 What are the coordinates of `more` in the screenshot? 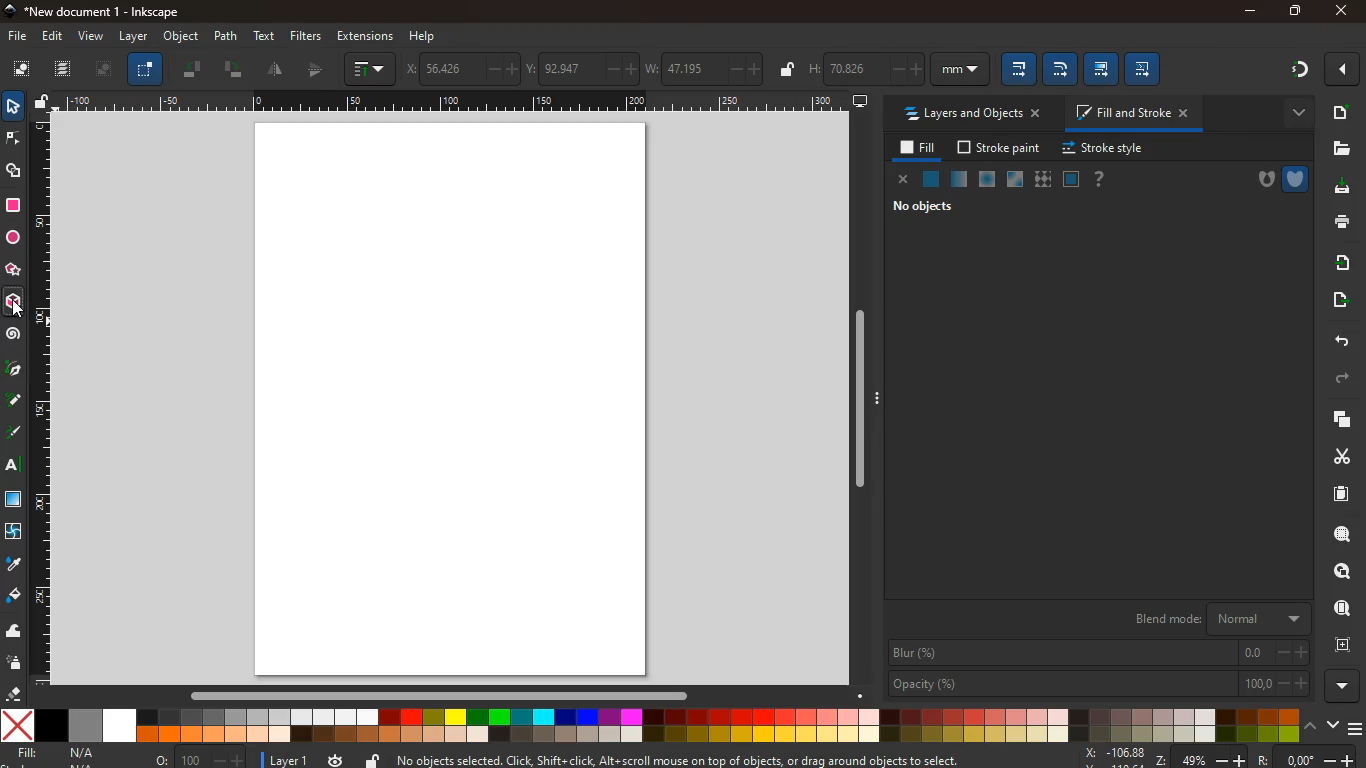 It's located at (1293, 112).